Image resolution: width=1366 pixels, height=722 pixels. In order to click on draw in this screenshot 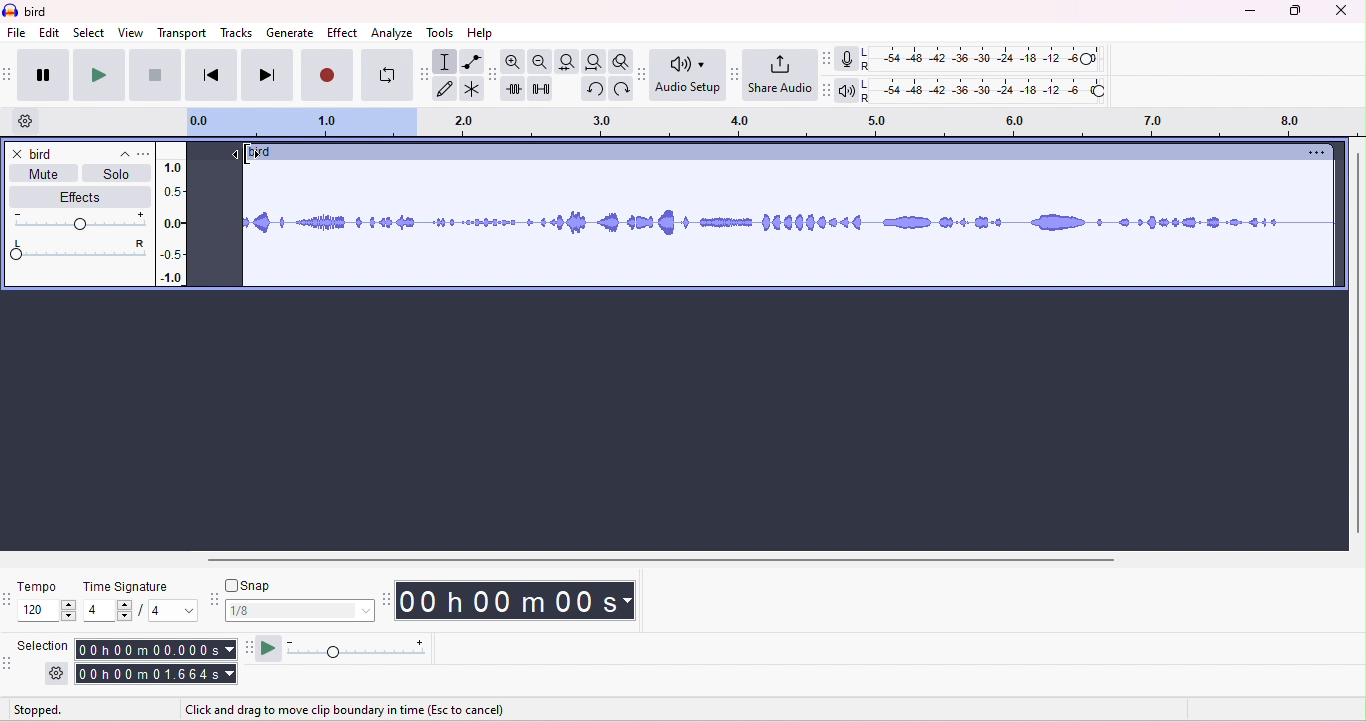, I will do `click(445, 90)`.